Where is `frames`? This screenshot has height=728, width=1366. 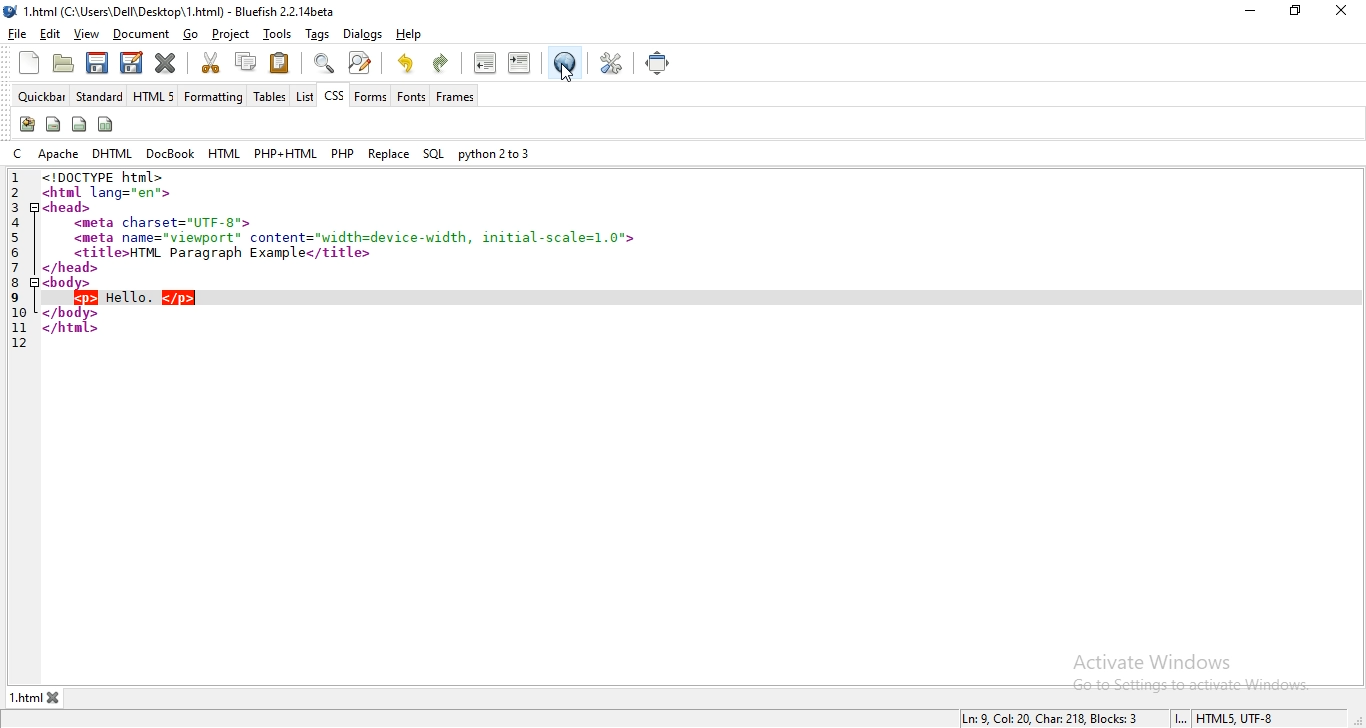
frames is located at coordinates (454, 97).